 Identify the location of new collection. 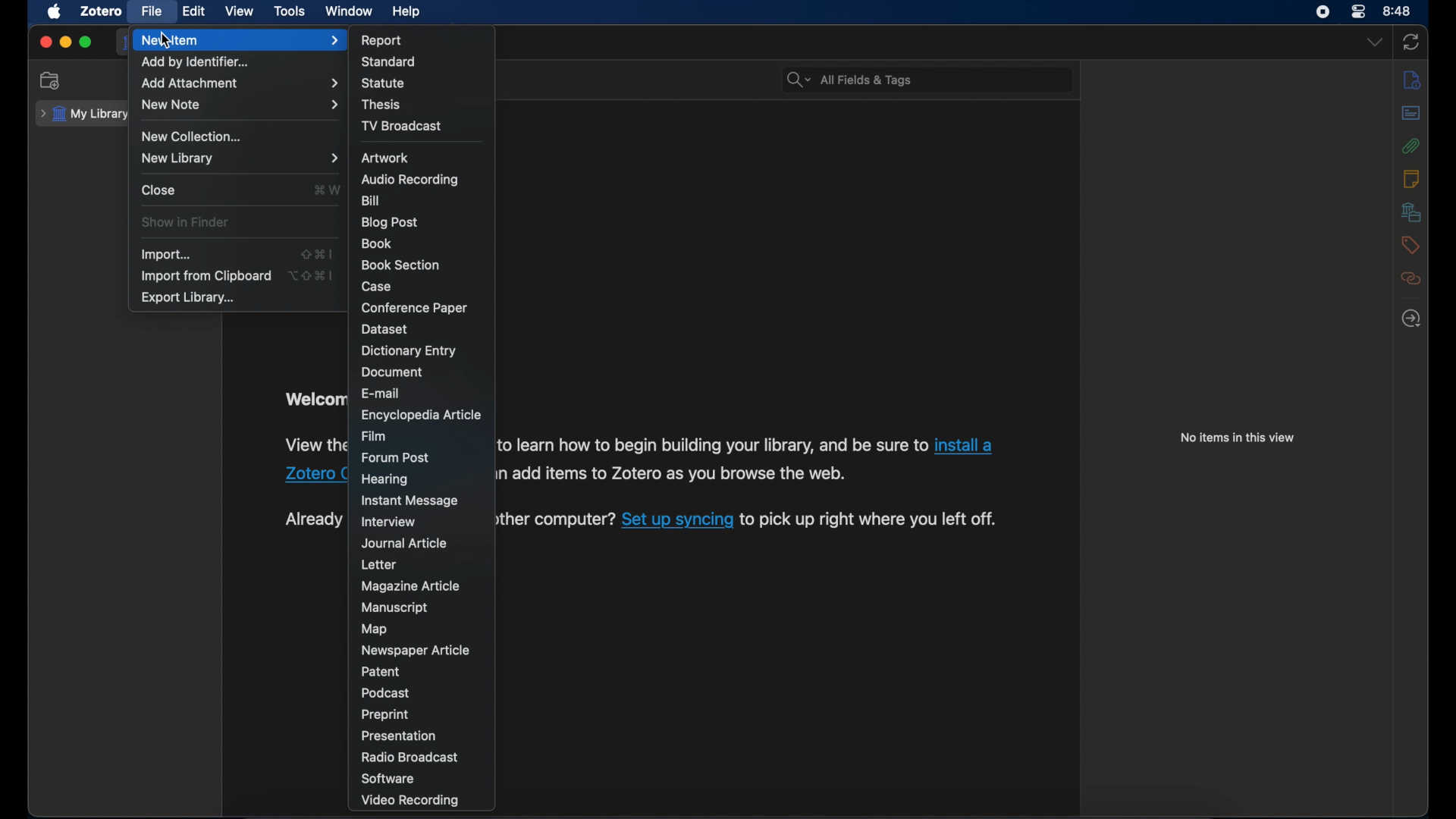
(52, 81).